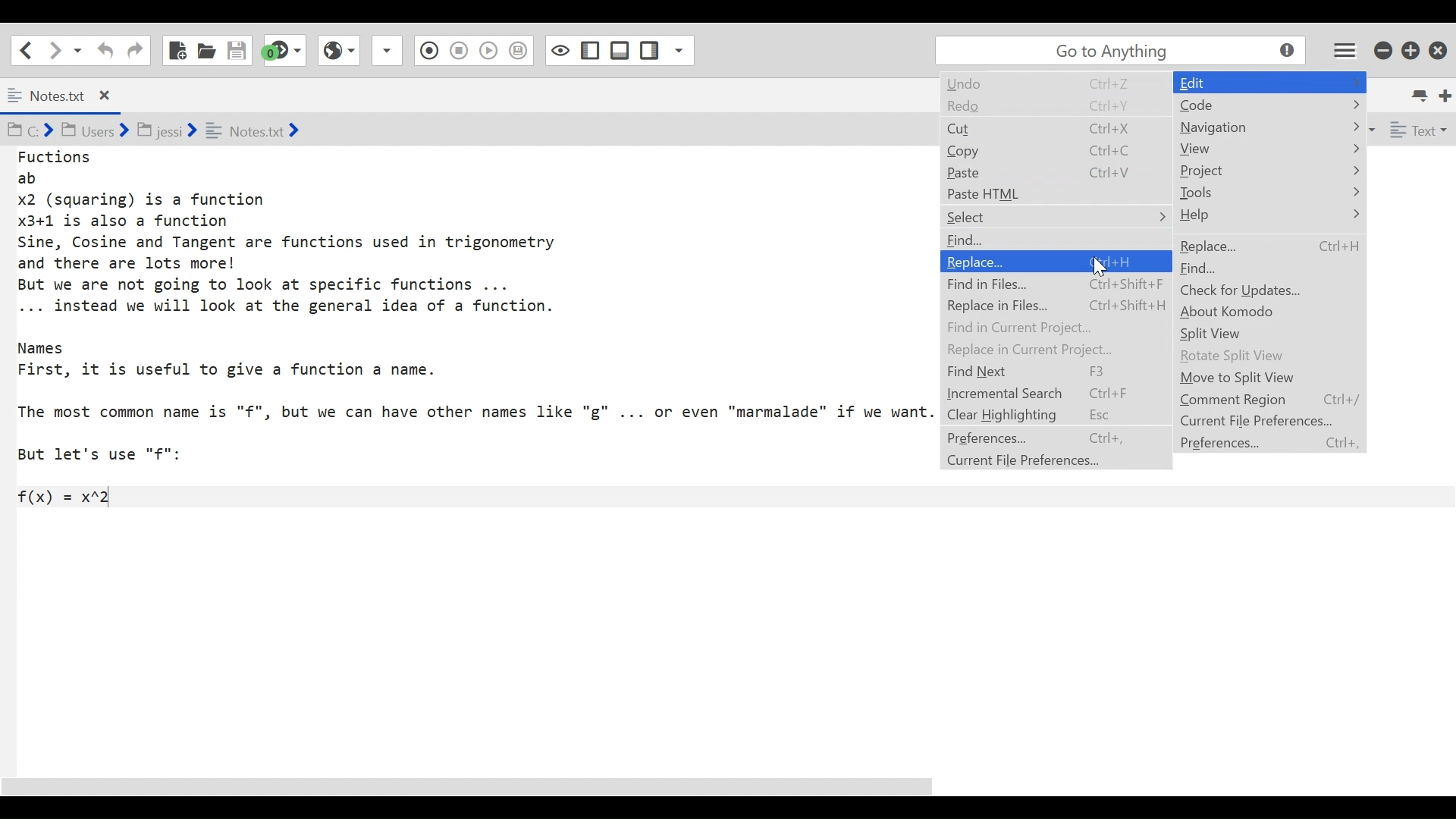  I want to click on Go back one location, so click(22, 49).